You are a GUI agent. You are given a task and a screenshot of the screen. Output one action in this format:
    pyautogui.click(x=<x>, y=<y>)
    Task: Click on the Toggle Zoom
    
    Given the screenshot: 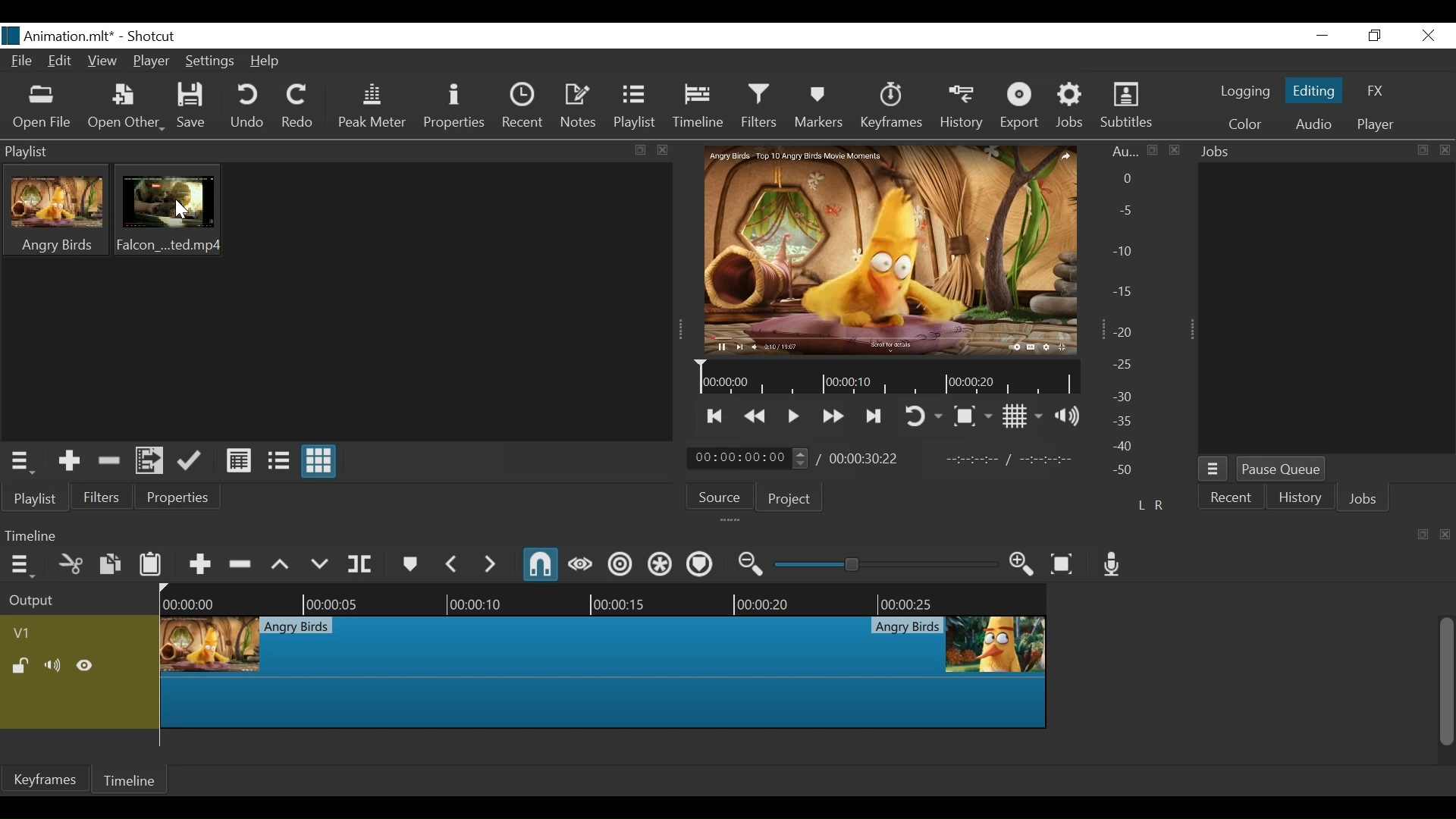 What is the action you would take?
    pyautogui.click(x=973, y=416)
    